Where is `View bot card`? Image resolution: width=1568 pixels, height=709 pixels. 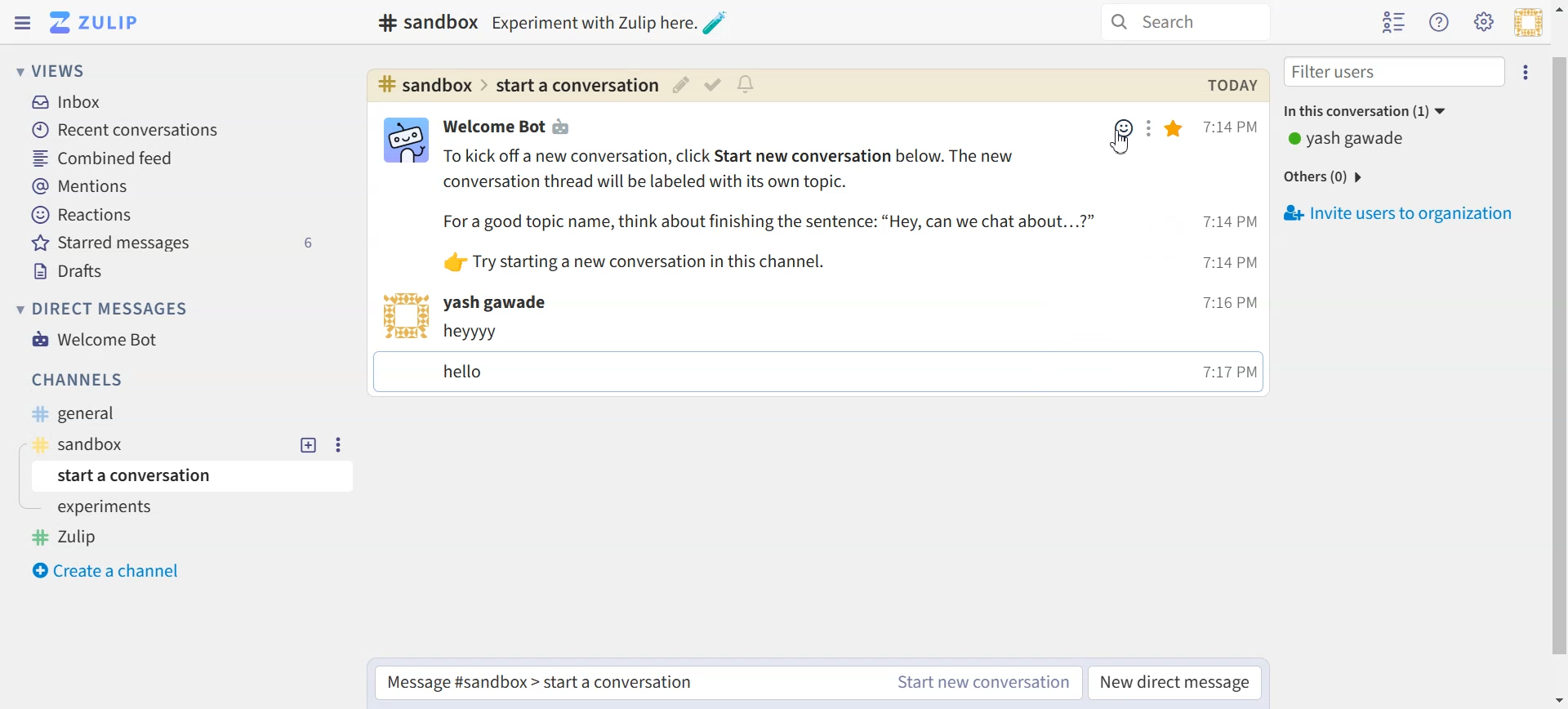 View bot card is located at coordinates (403, 140).